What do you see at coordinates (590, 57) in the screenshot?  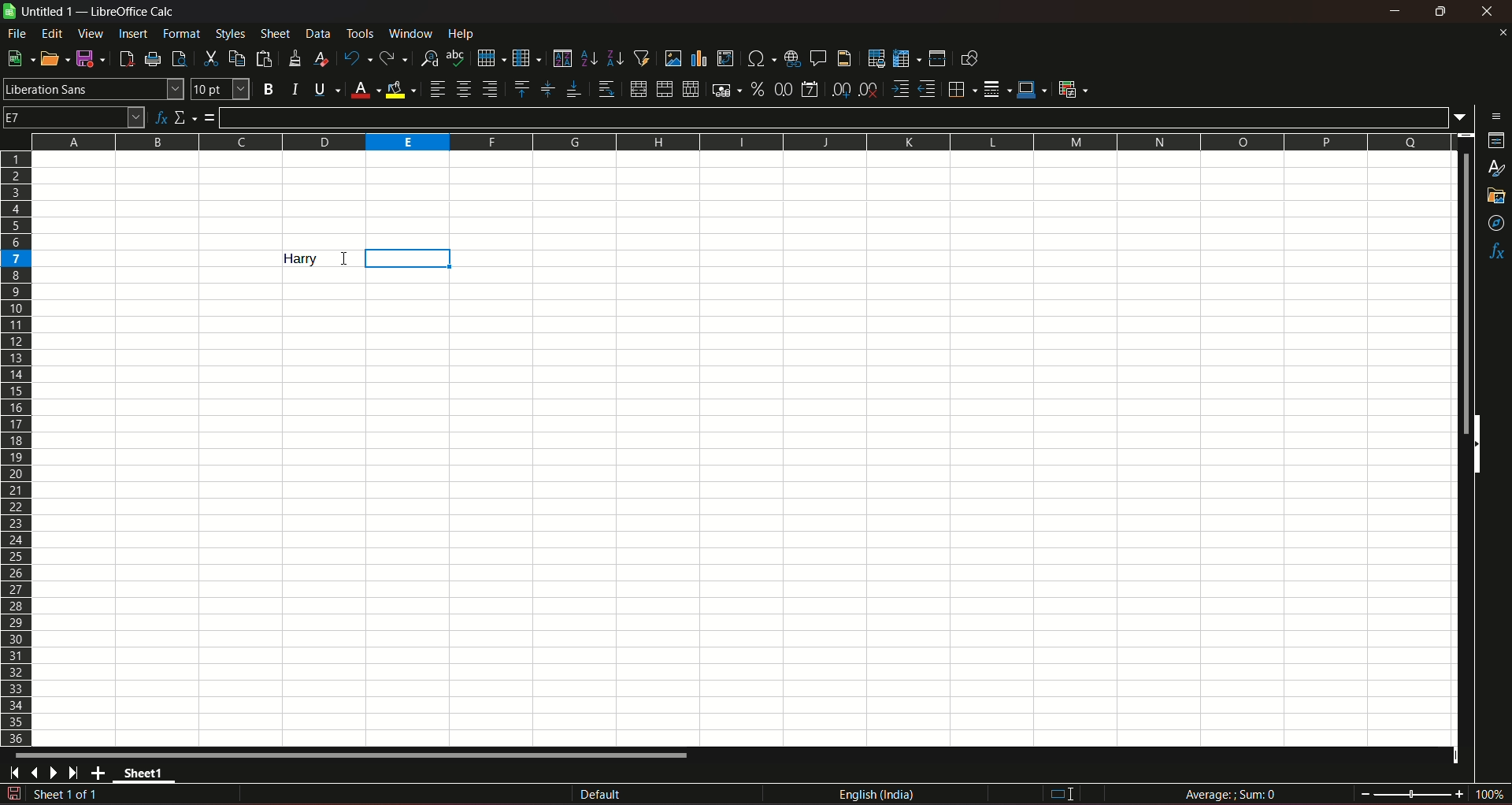 I see `sort ascending` at bounding box center [590, 57].